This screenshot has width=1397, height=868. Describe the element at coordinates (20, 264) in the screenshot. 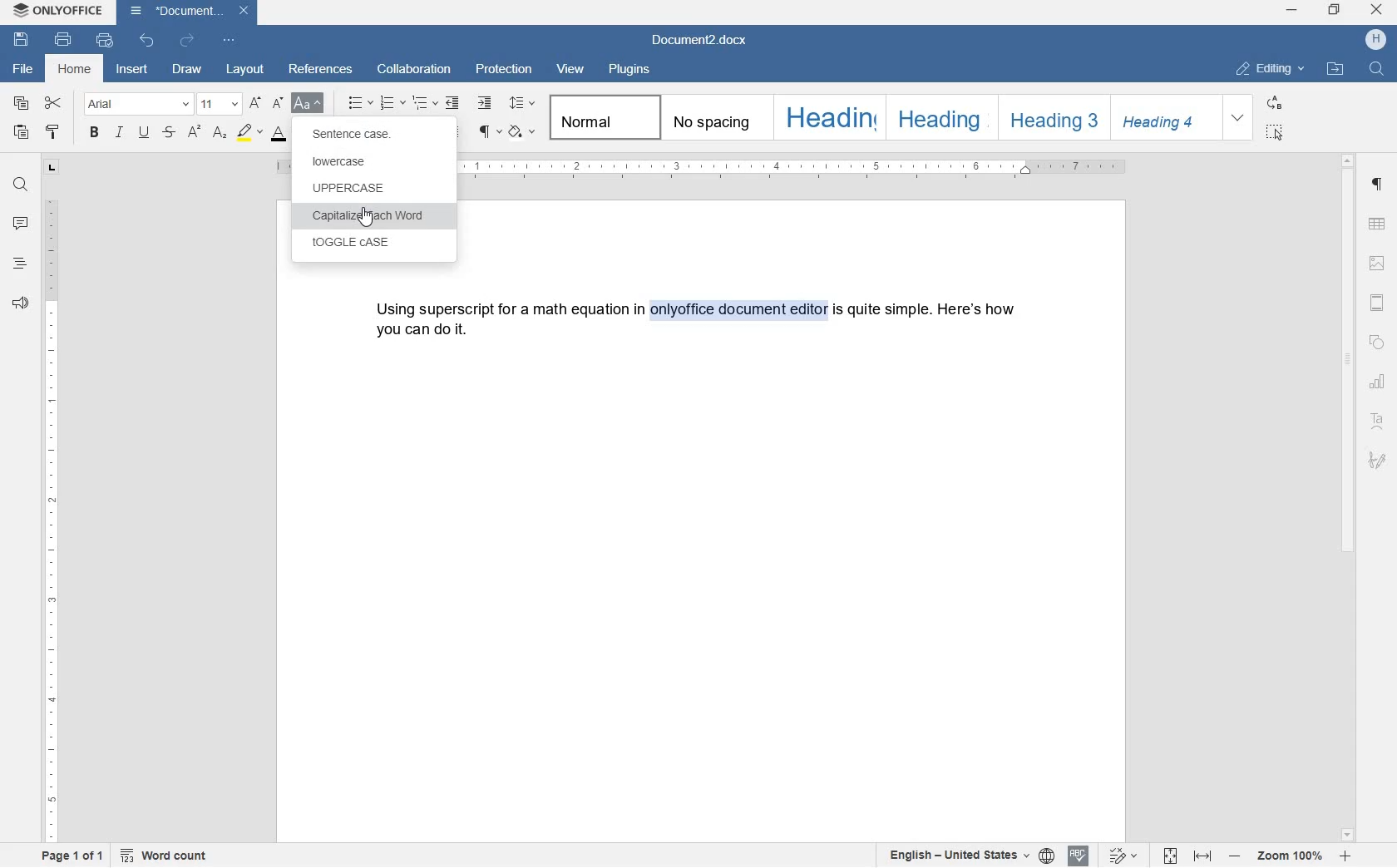

I see `headings` at that location.